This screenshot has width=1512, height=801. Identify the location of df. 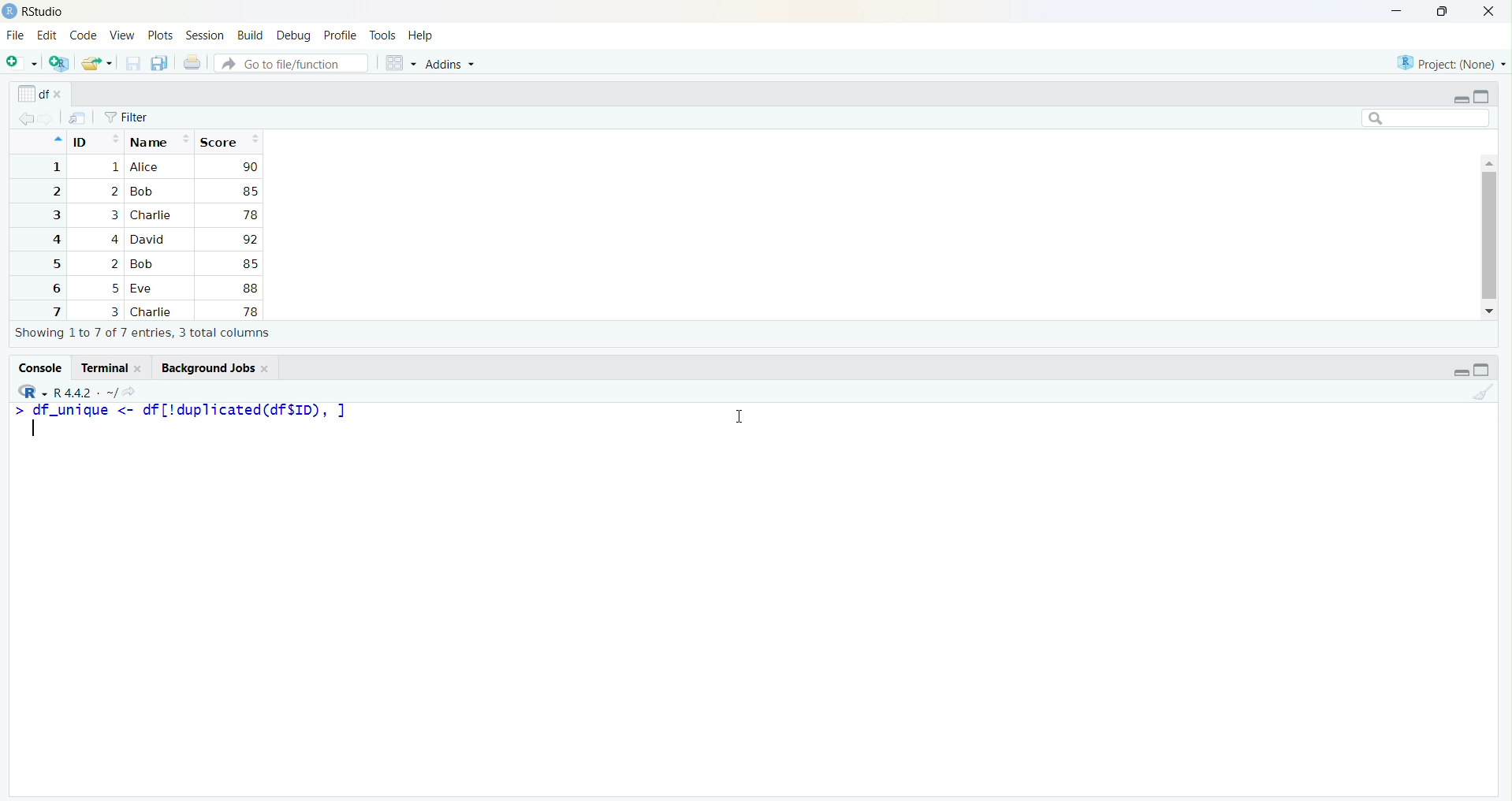
(32, 93).